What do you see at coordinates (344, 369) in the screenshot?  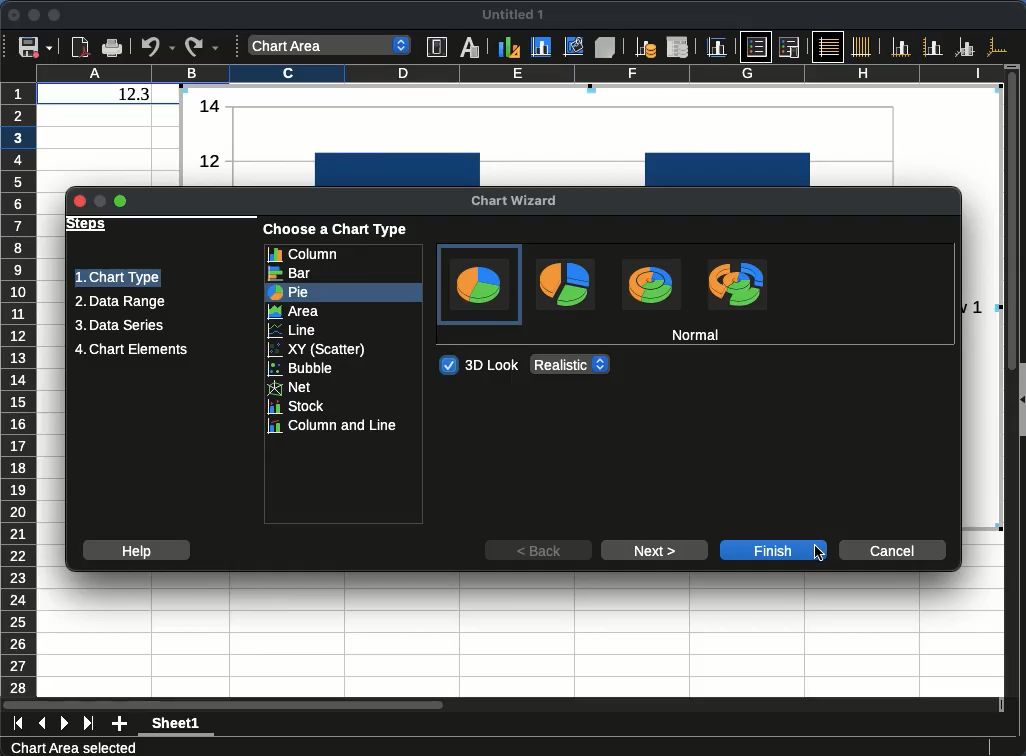 I see `bubble` at bounding box center [344, 369].